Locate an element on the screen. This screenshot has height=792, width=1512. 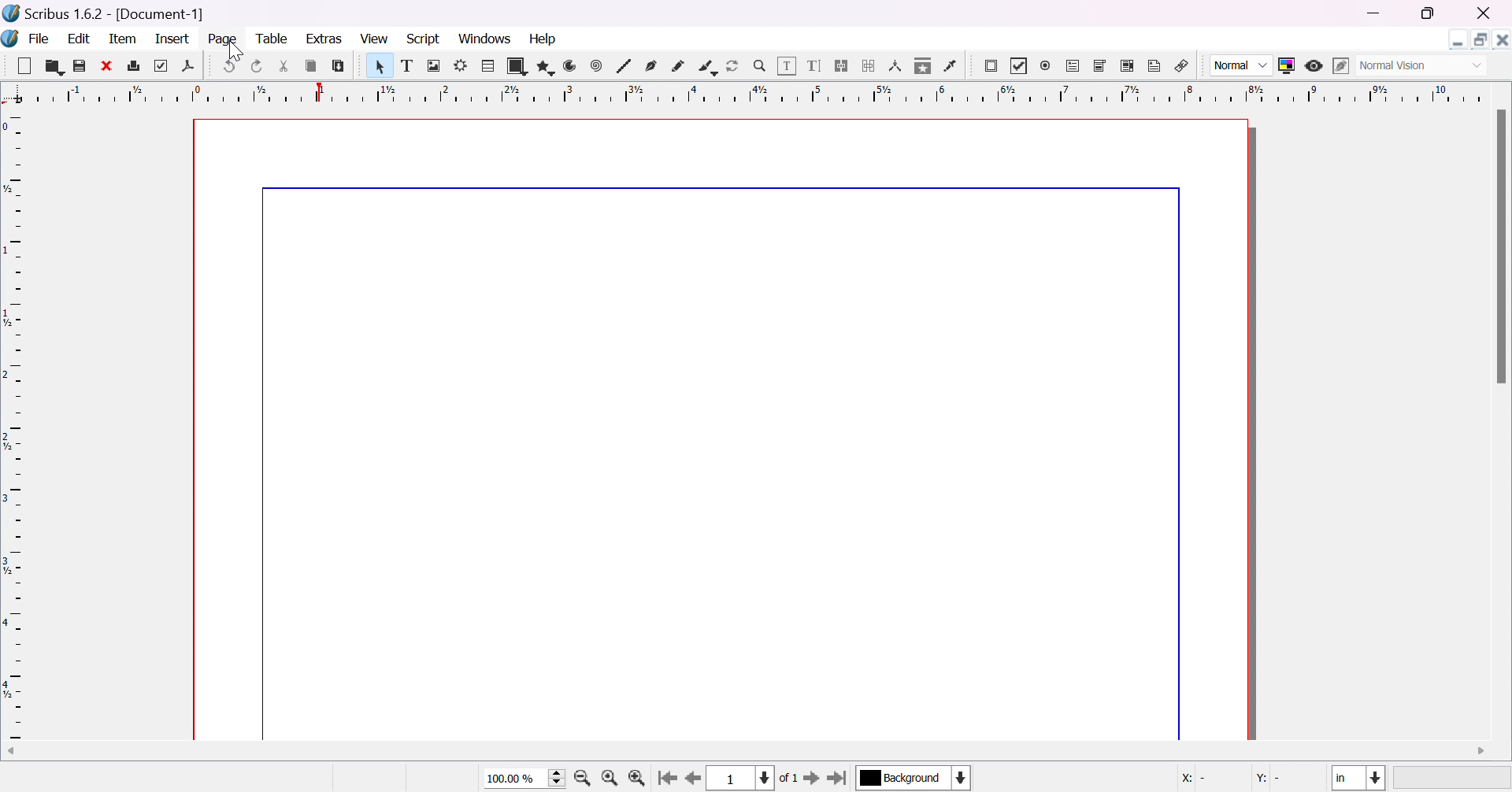
Restore down is located at coordinates (1482, 39).